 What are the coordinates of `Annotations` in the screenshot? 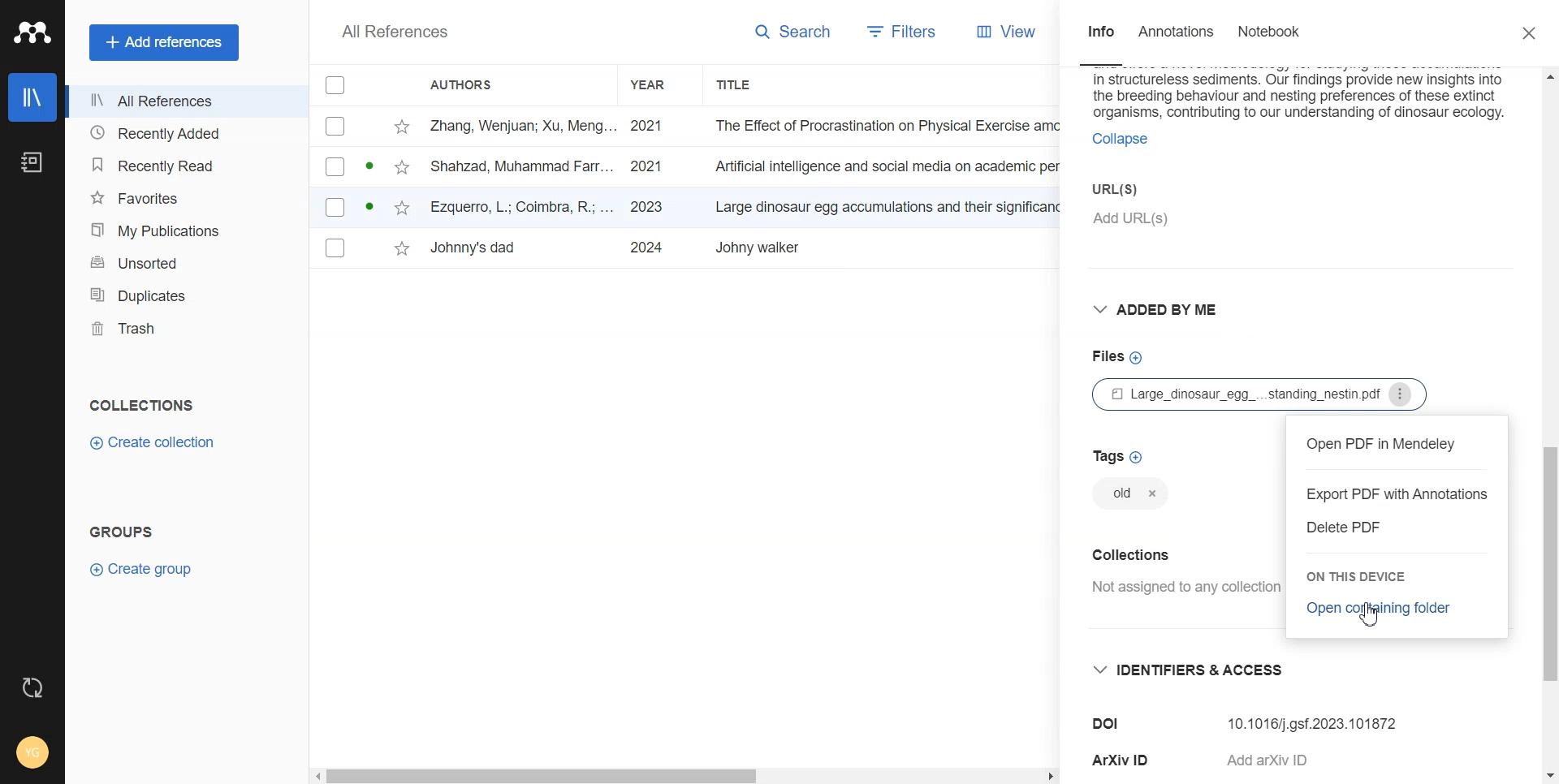 It's located at (1178, 32).